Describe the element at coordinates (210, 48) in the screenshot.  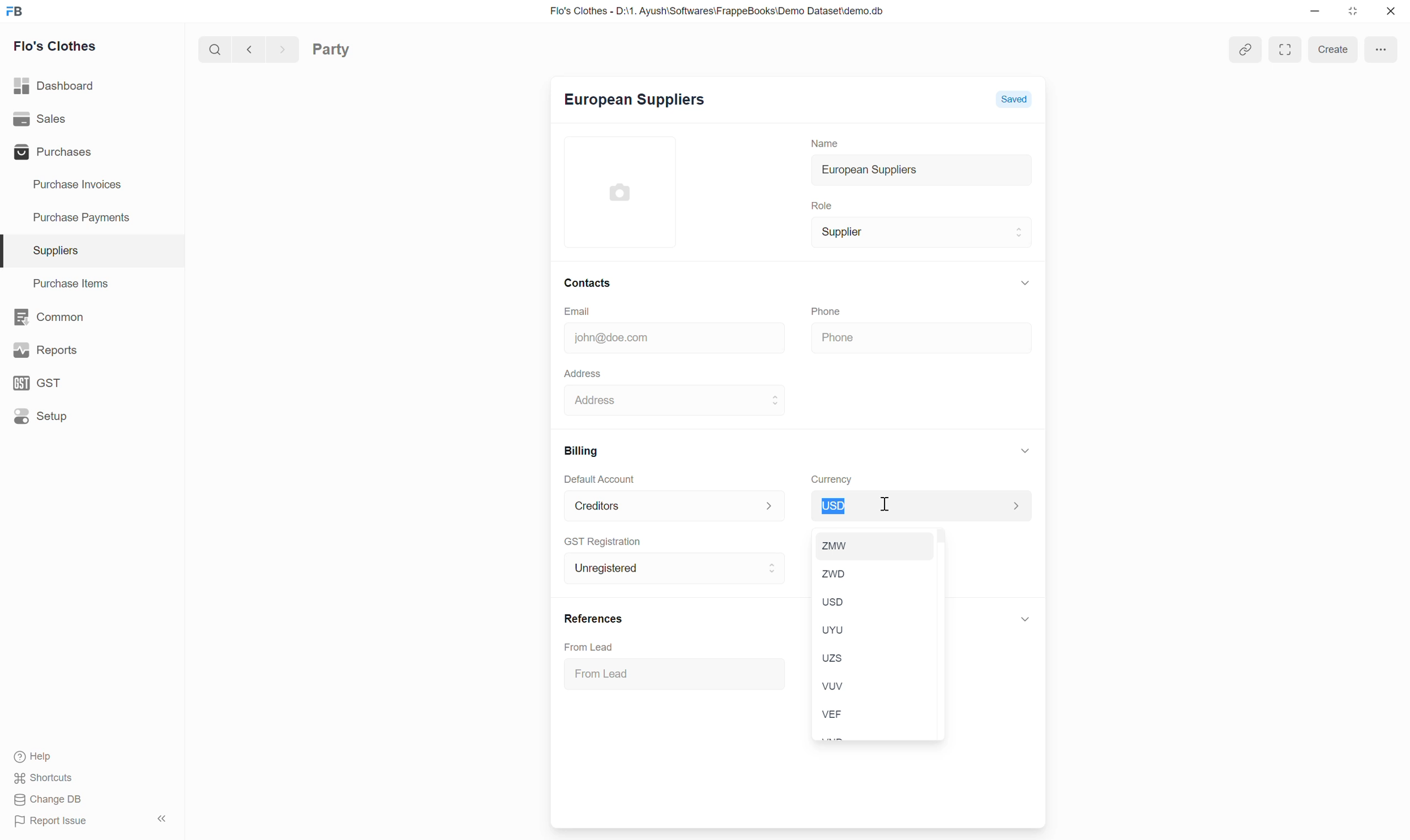
I see `search` at that location.